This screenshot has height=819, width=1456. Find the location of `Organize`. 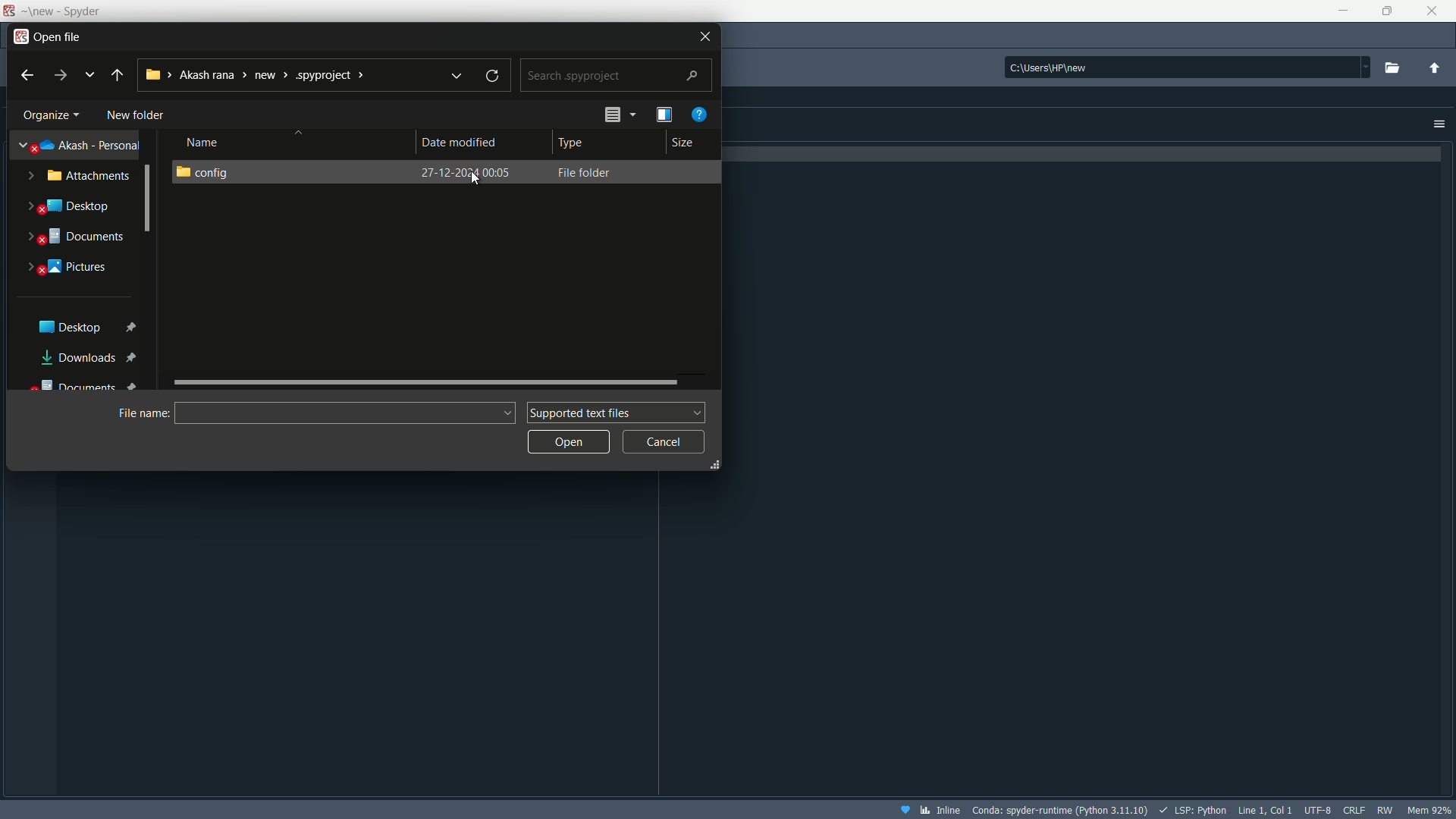

Organize is located at coordinates (52, 115).